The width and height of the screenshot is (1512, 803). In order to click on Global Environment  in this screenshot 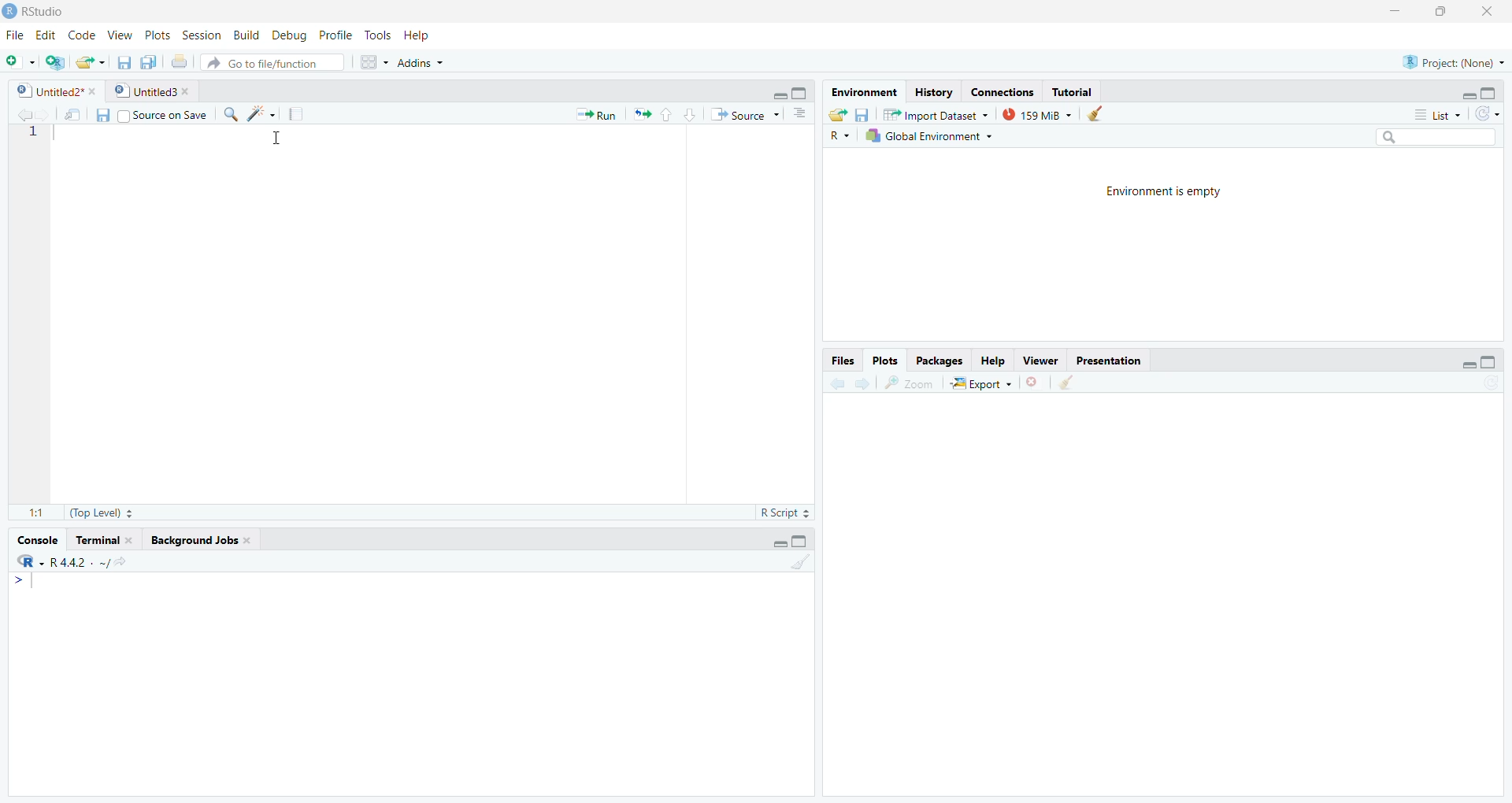, I will do `click(930, 136)`.